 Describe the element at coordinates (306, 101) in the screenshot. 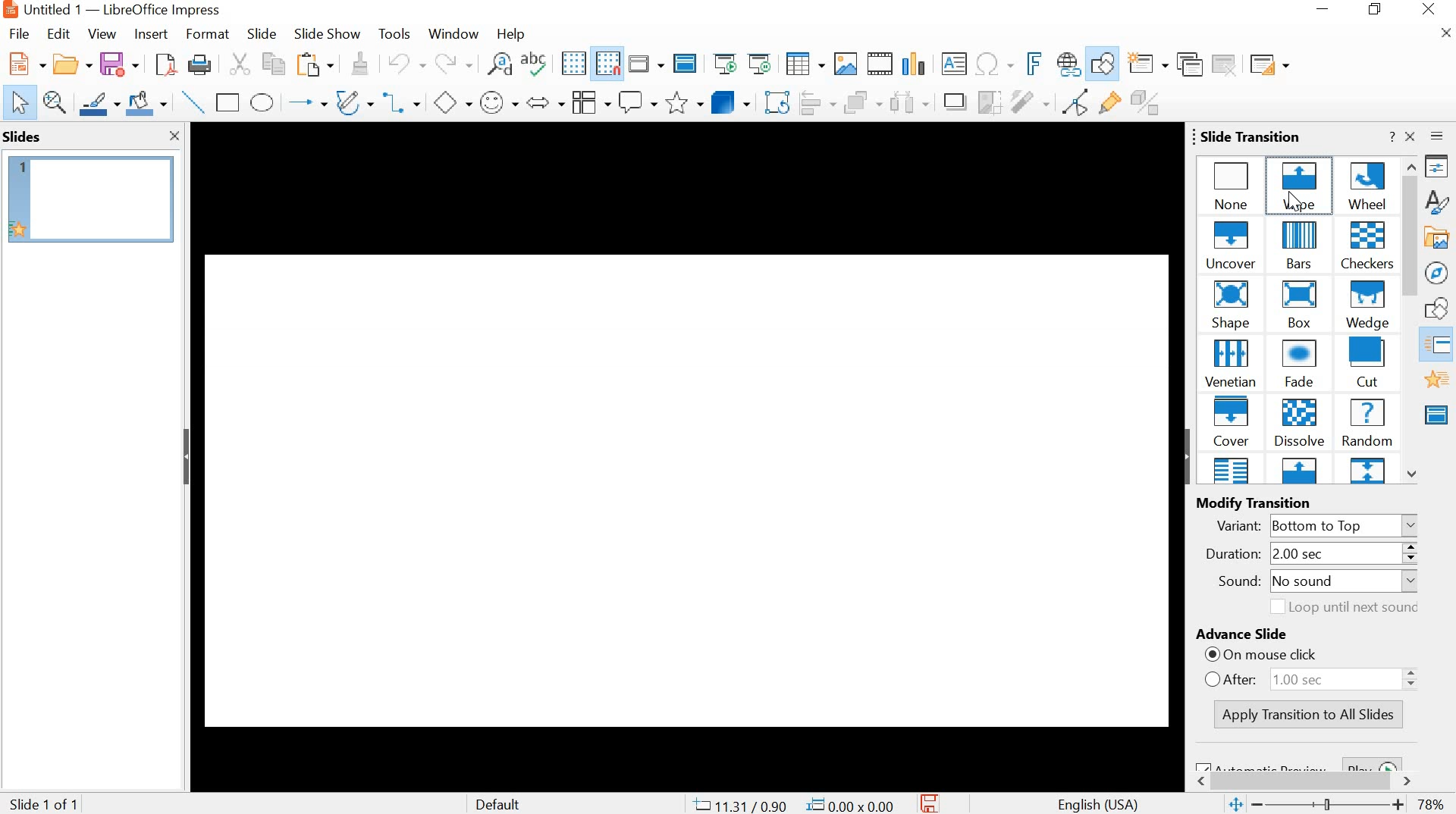

I see `Lines and arrows` at that location.